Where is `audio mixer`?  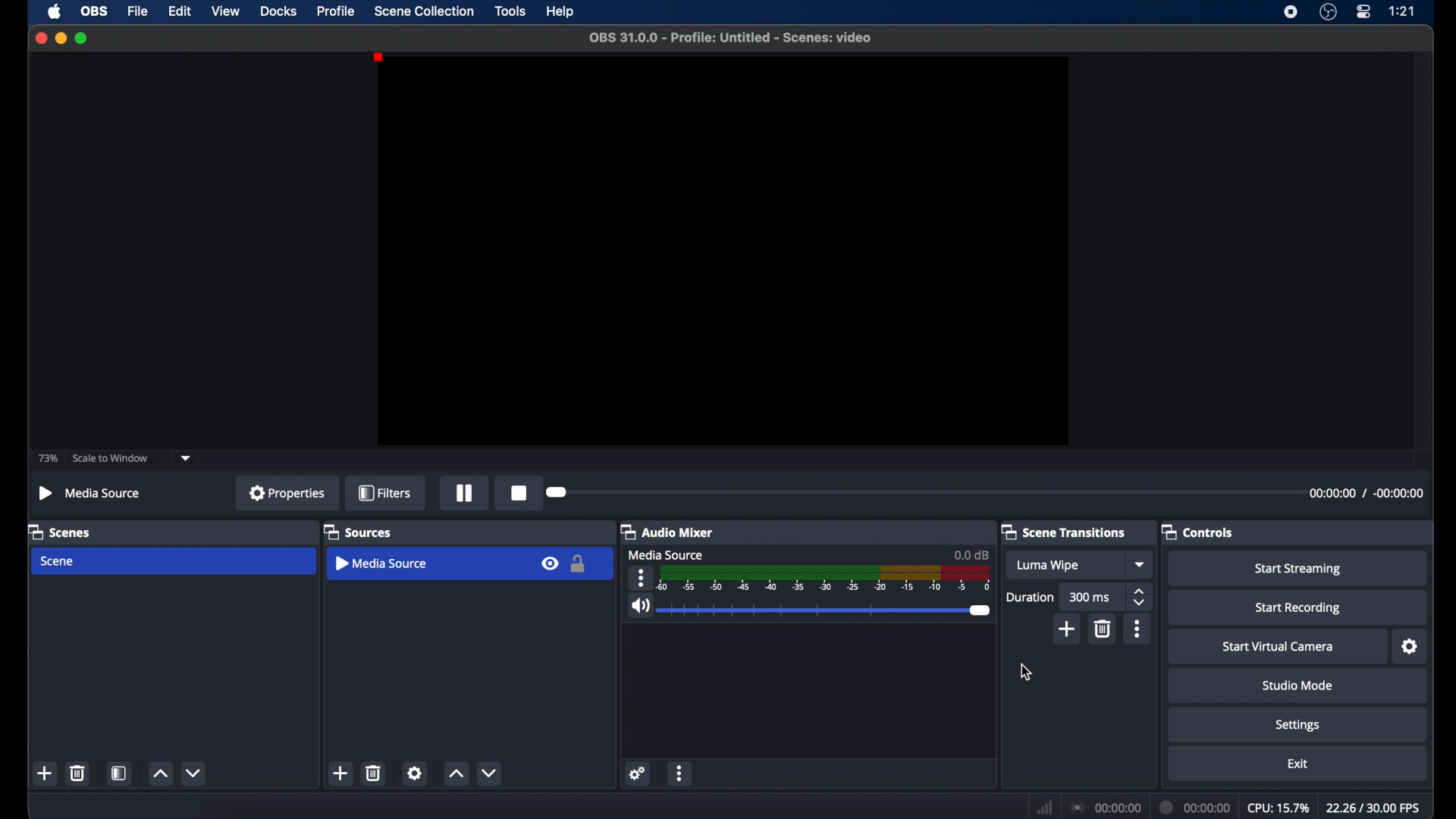
audio mixer is located at coordinates (668, 532).